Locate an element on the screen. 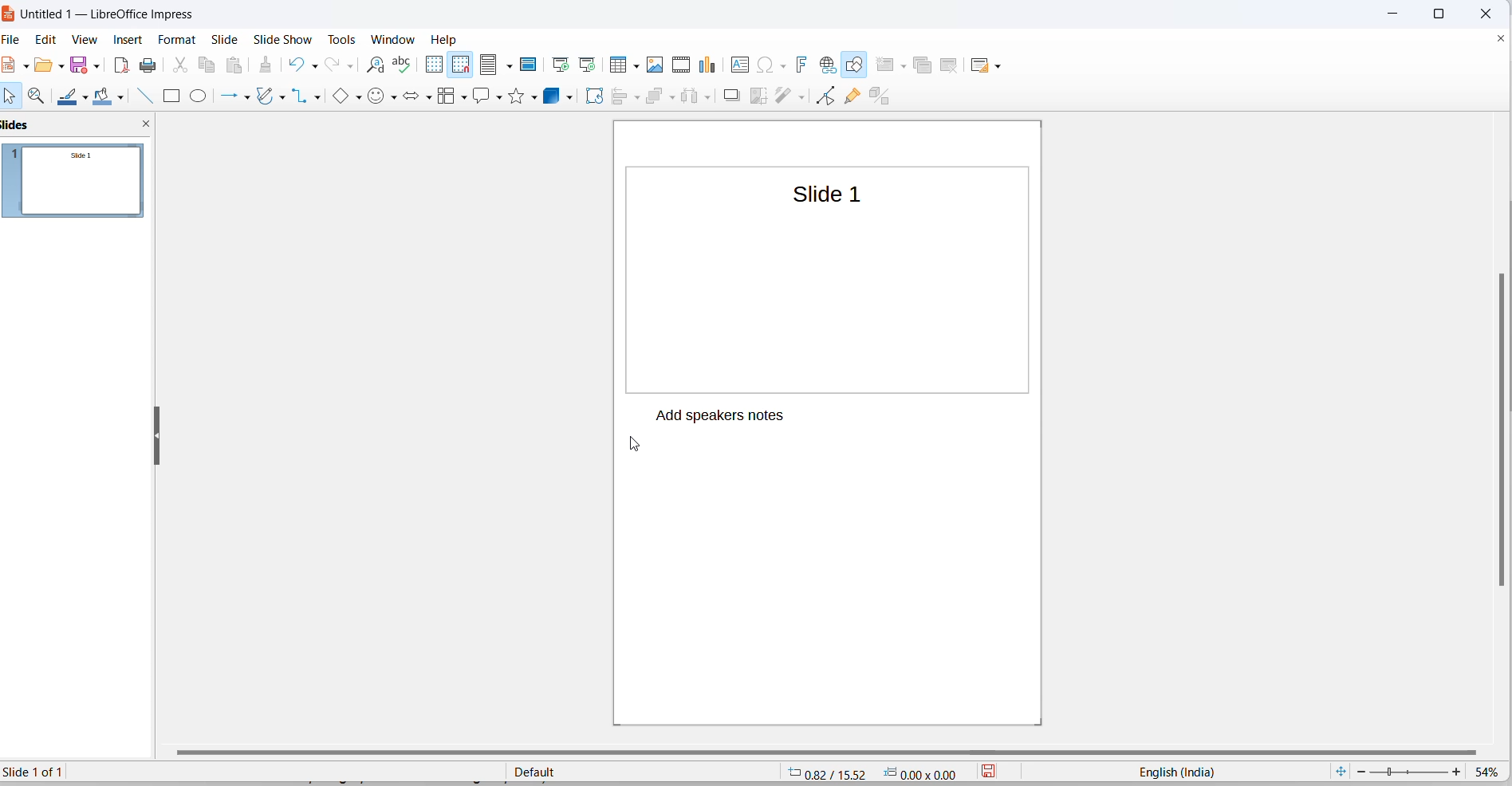 Image resolution: width=1512 pixels, height=786 pixels. insert is located at coordinates (130, 41).